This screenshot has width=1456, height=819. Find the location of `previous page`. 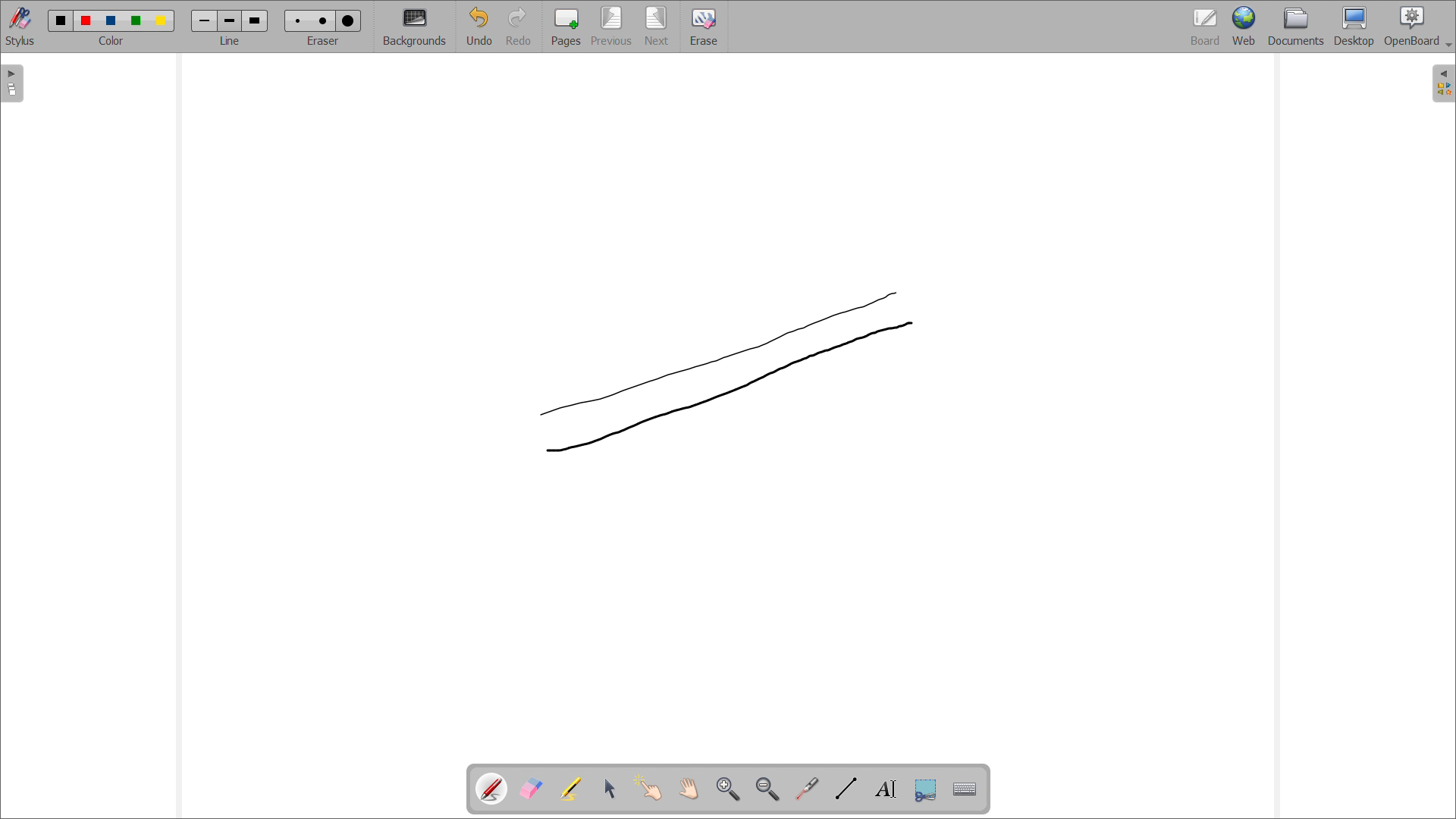

previous page is located at coordinates (612, 26).